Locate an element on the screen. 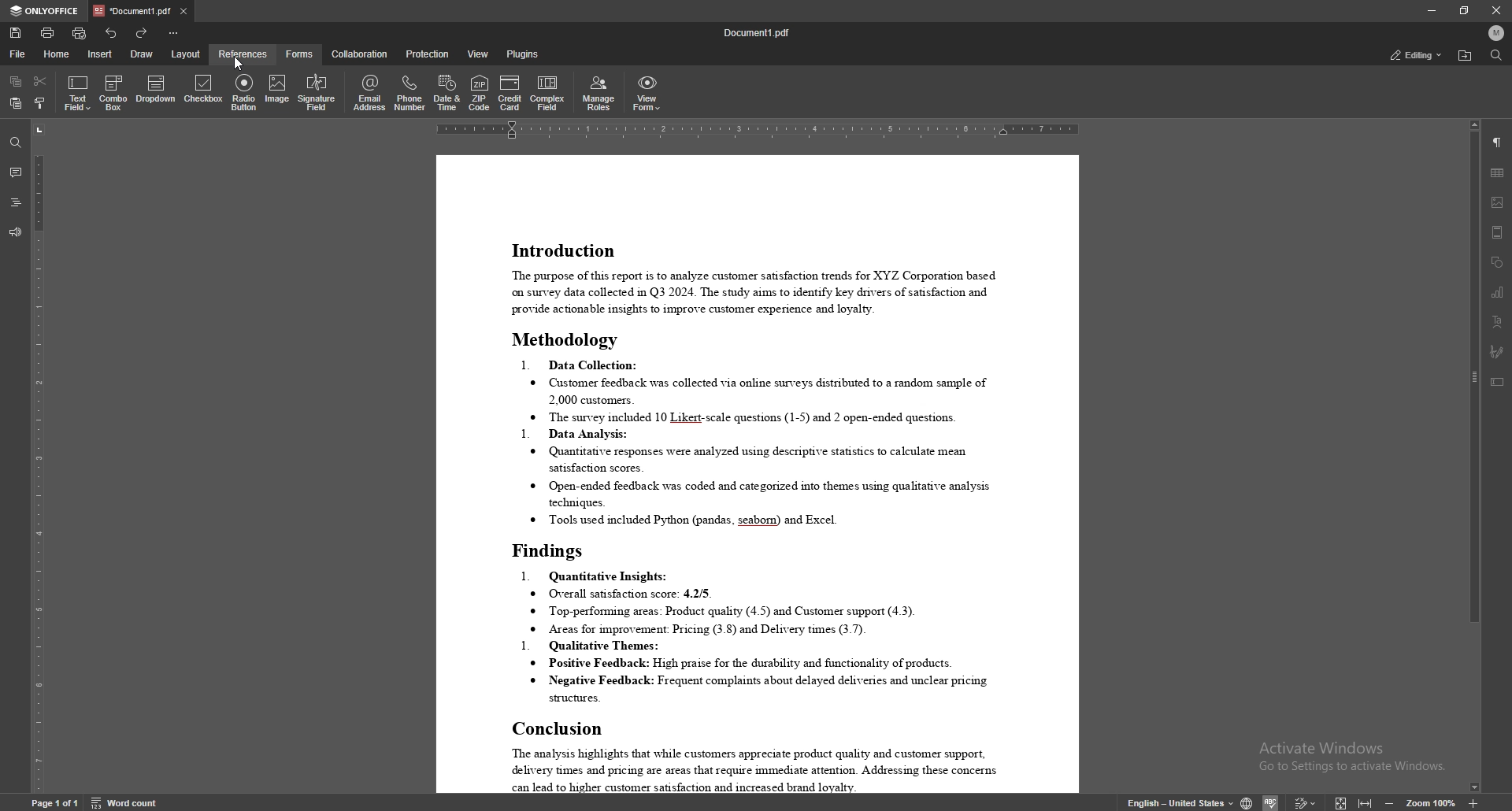 Image resolution: width=1512 pixels, height=811 pixels. view form is located at coordinates (647, 93).